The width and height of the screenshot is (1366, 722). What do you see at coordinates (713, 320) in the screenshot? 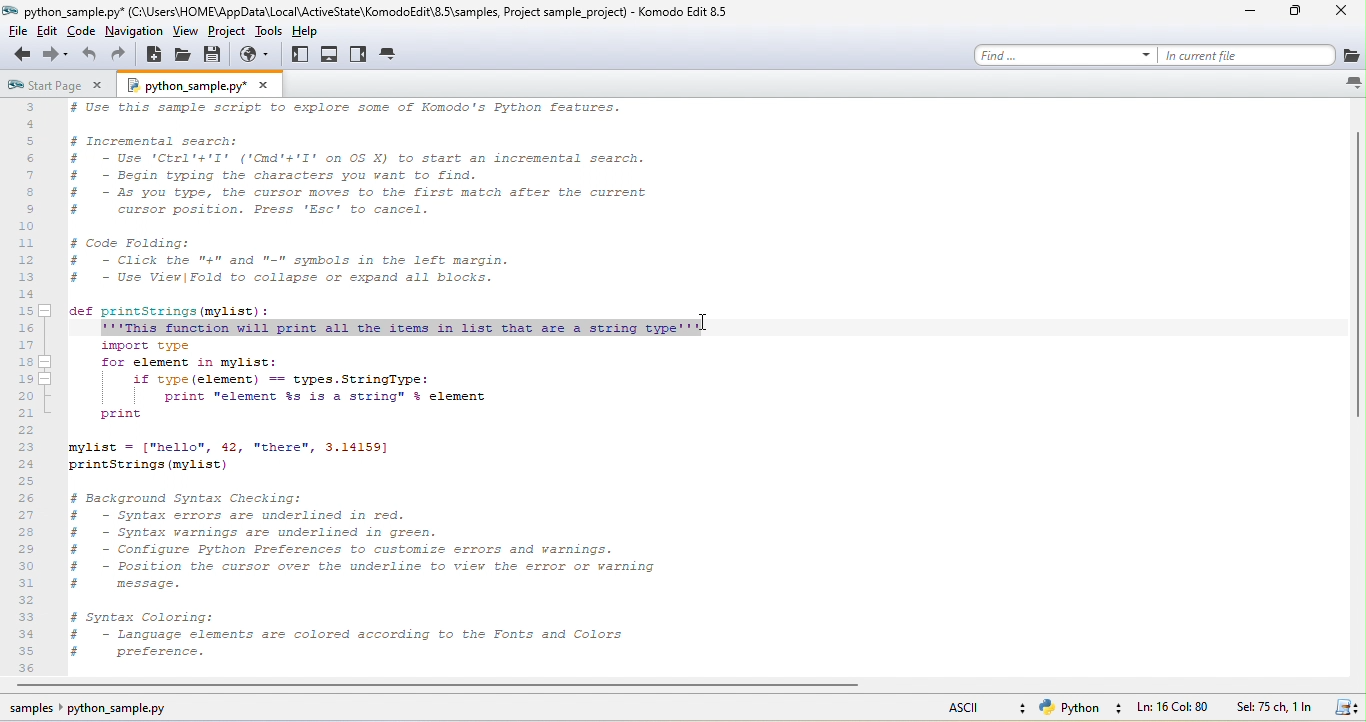
I see `cursor movement` at bounding box center [713, 320].